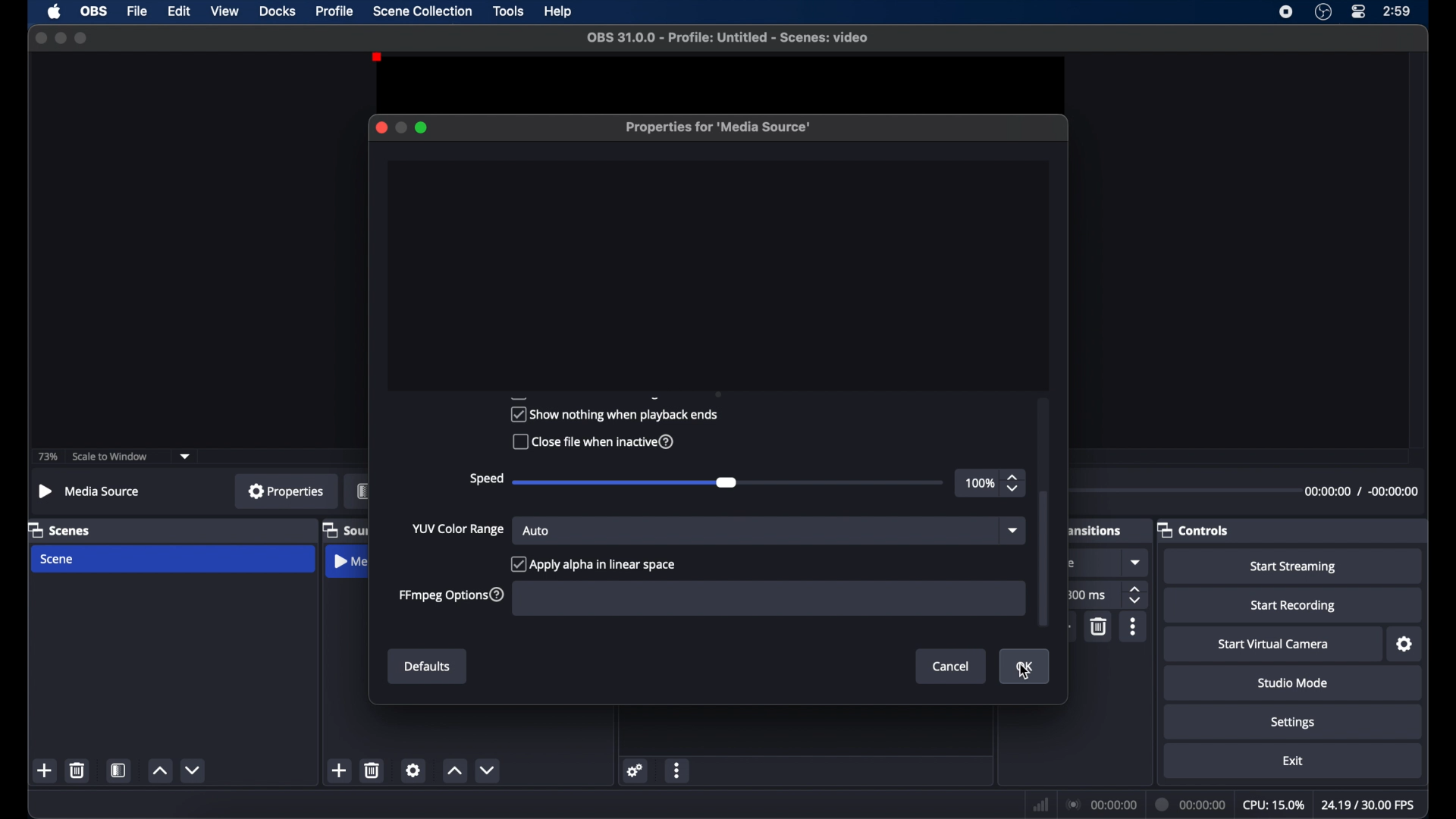 This screenshot has height=819, width=1456. I want to click on maximize, so click(81, 38).